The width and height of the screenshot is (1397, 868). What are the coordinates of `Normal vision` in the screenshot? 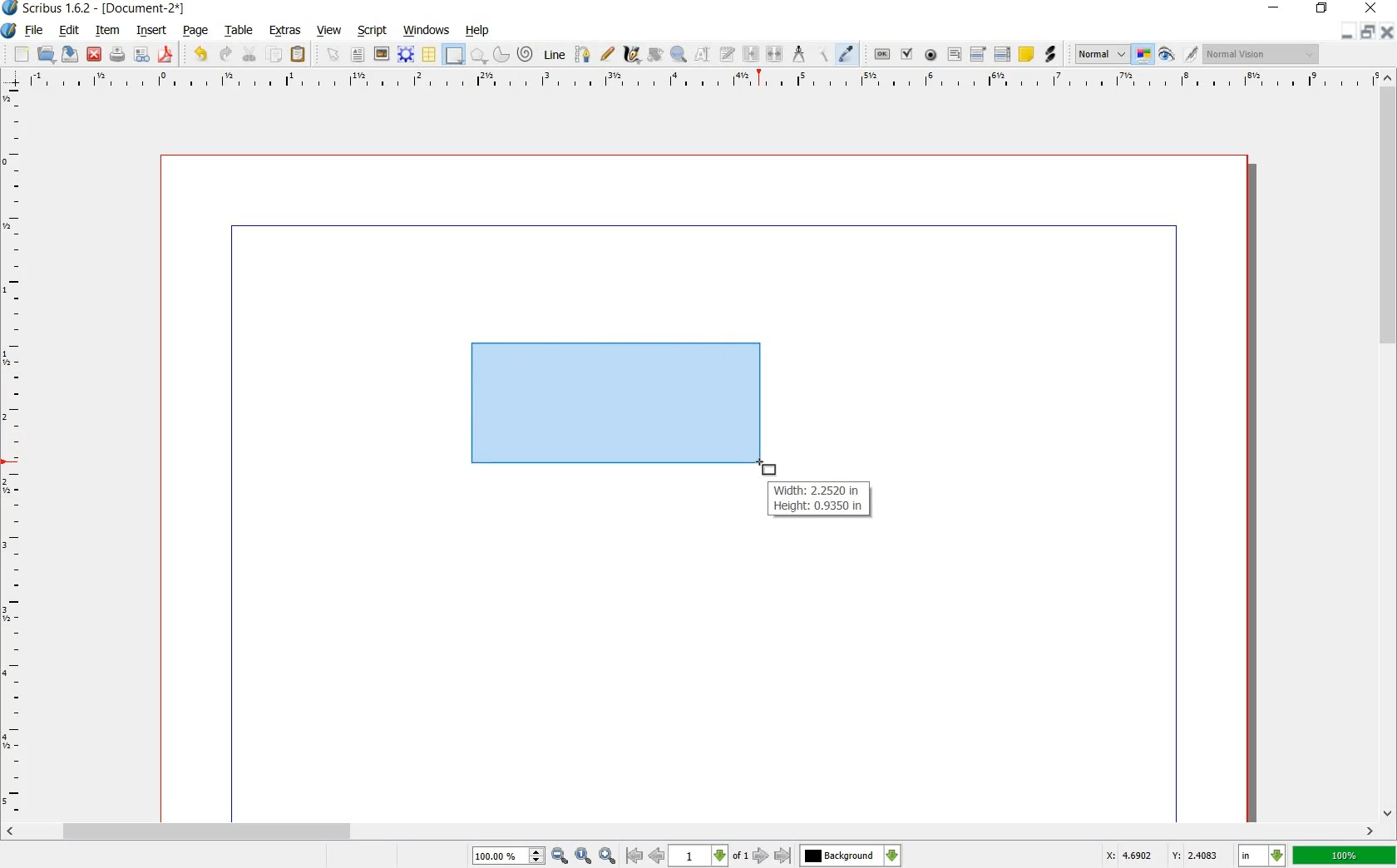 It's located at (1260, 54).